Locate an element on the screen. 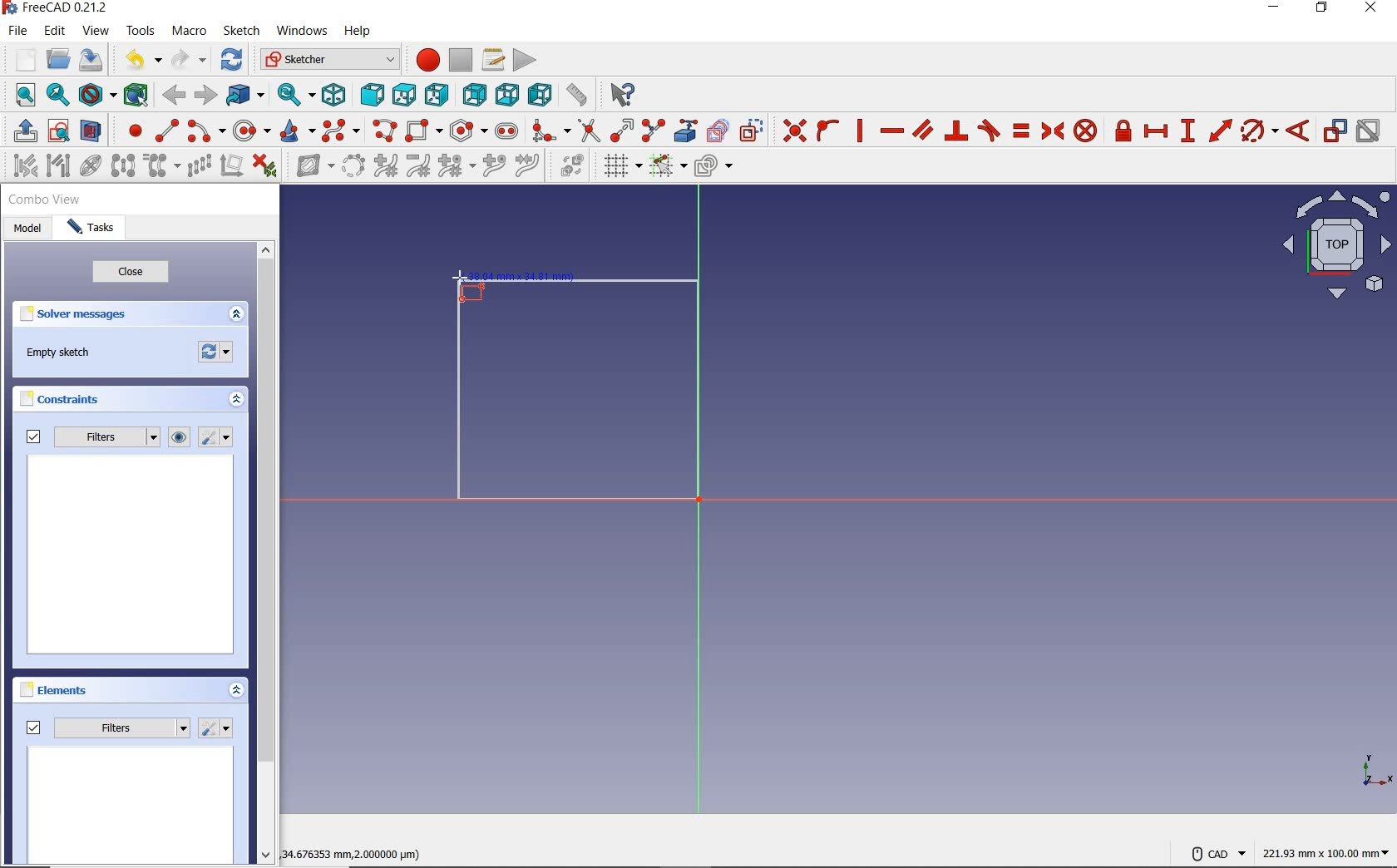  minimize is located at coordinates (1275, 9).